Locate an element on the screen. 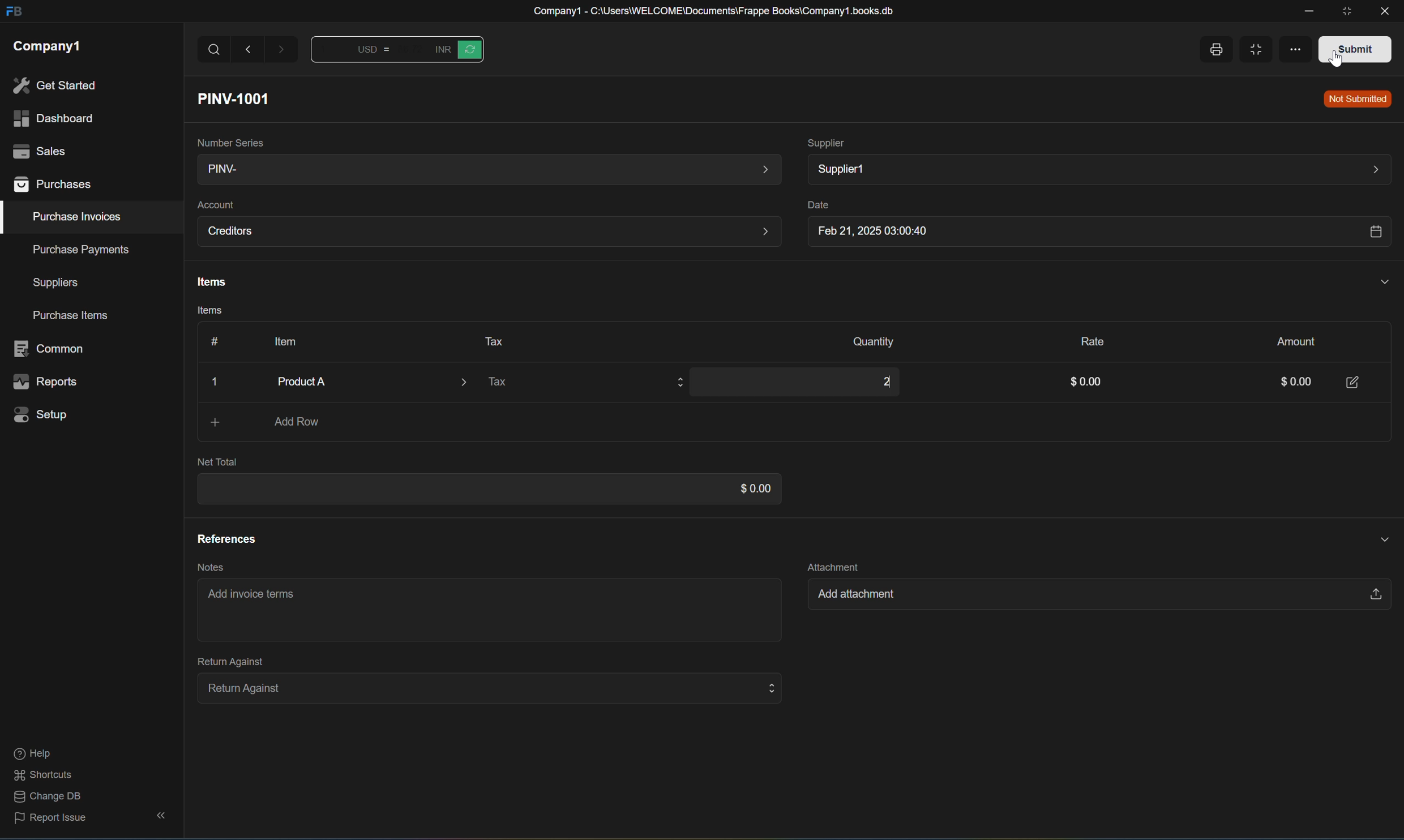 This screenshot has height=840, width=1404. common is located at coordinates (52, 349).